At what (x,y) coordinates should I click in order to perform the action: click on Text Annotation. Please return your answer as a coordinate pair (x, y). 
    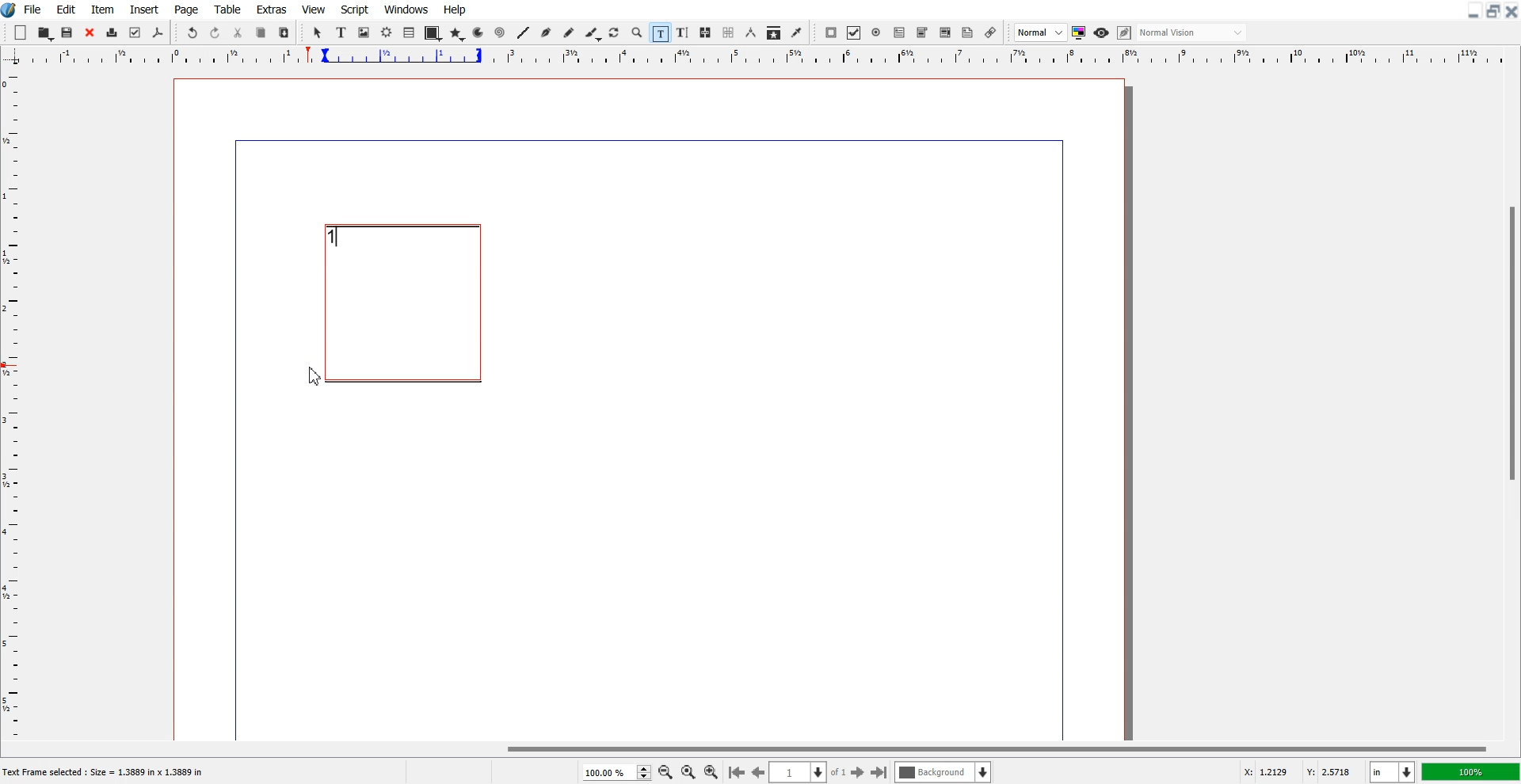
    Looking at the image, I should click on (967, 33).